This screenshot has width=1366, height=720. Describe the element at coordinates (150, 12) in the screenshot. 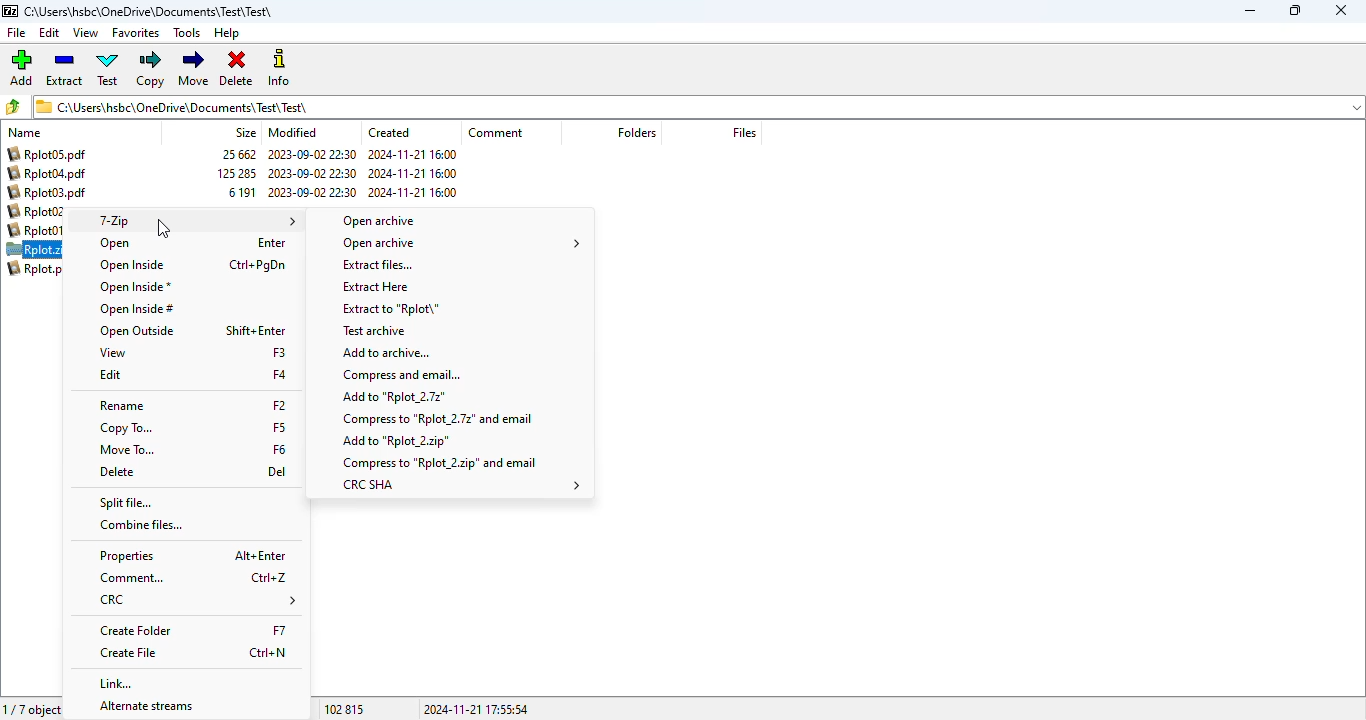

I see `C:\Users\hsbc\OneDrive\Documents\Test\Test\` at that location.